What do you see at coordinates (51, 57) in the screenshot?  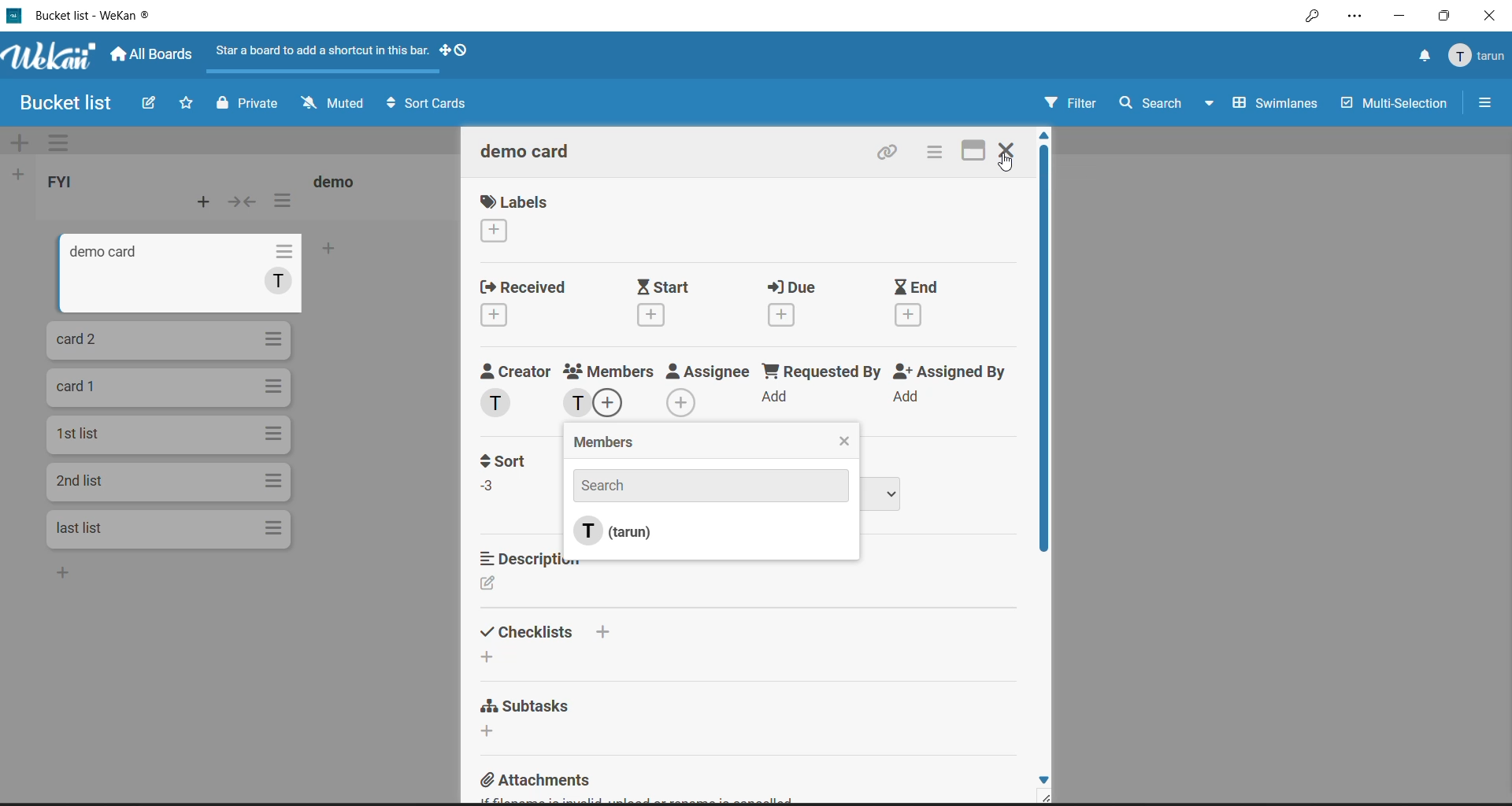 I see `app name and logo` at bounding box center [51, 57].